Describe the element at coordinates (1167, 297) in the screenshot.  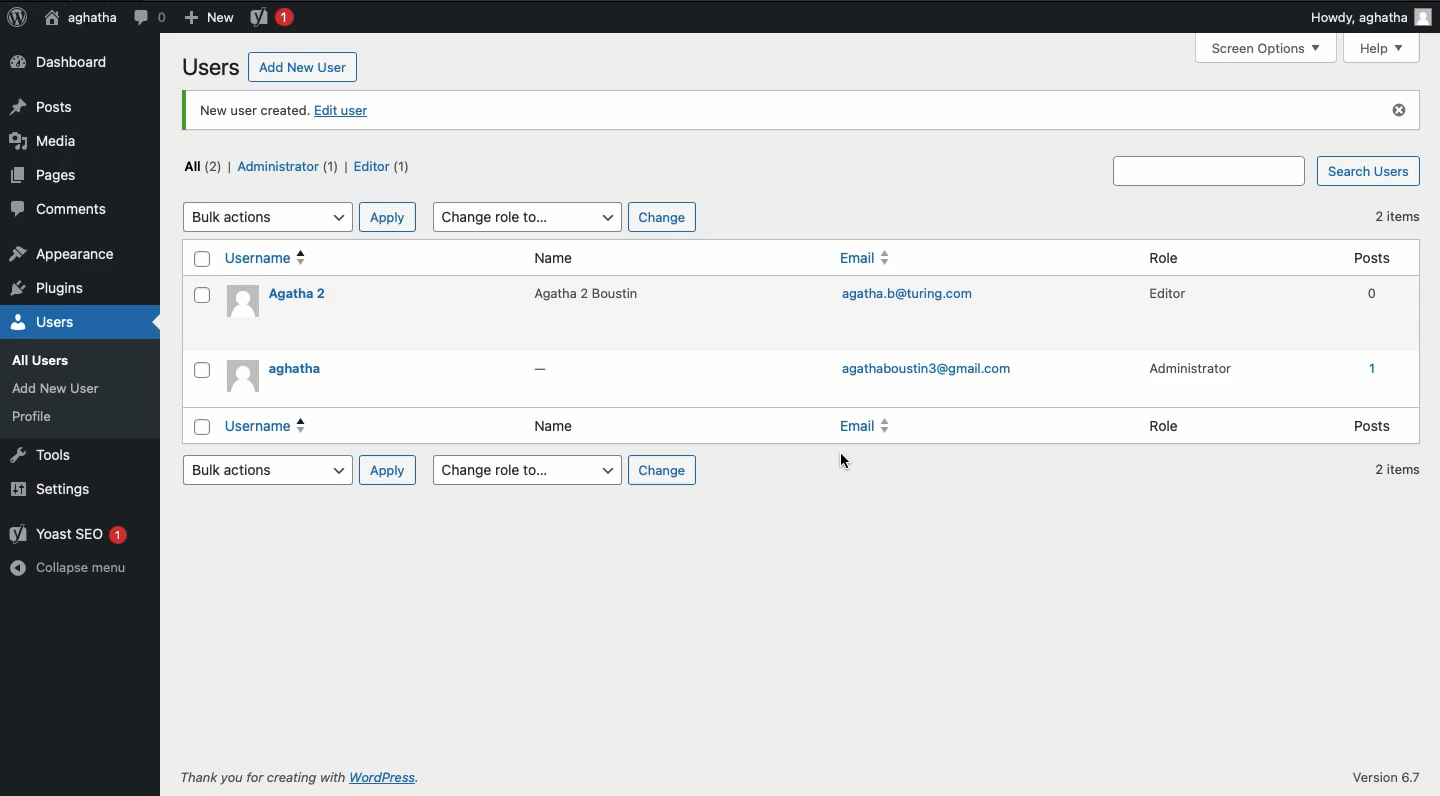
I see `Editor` at that location.